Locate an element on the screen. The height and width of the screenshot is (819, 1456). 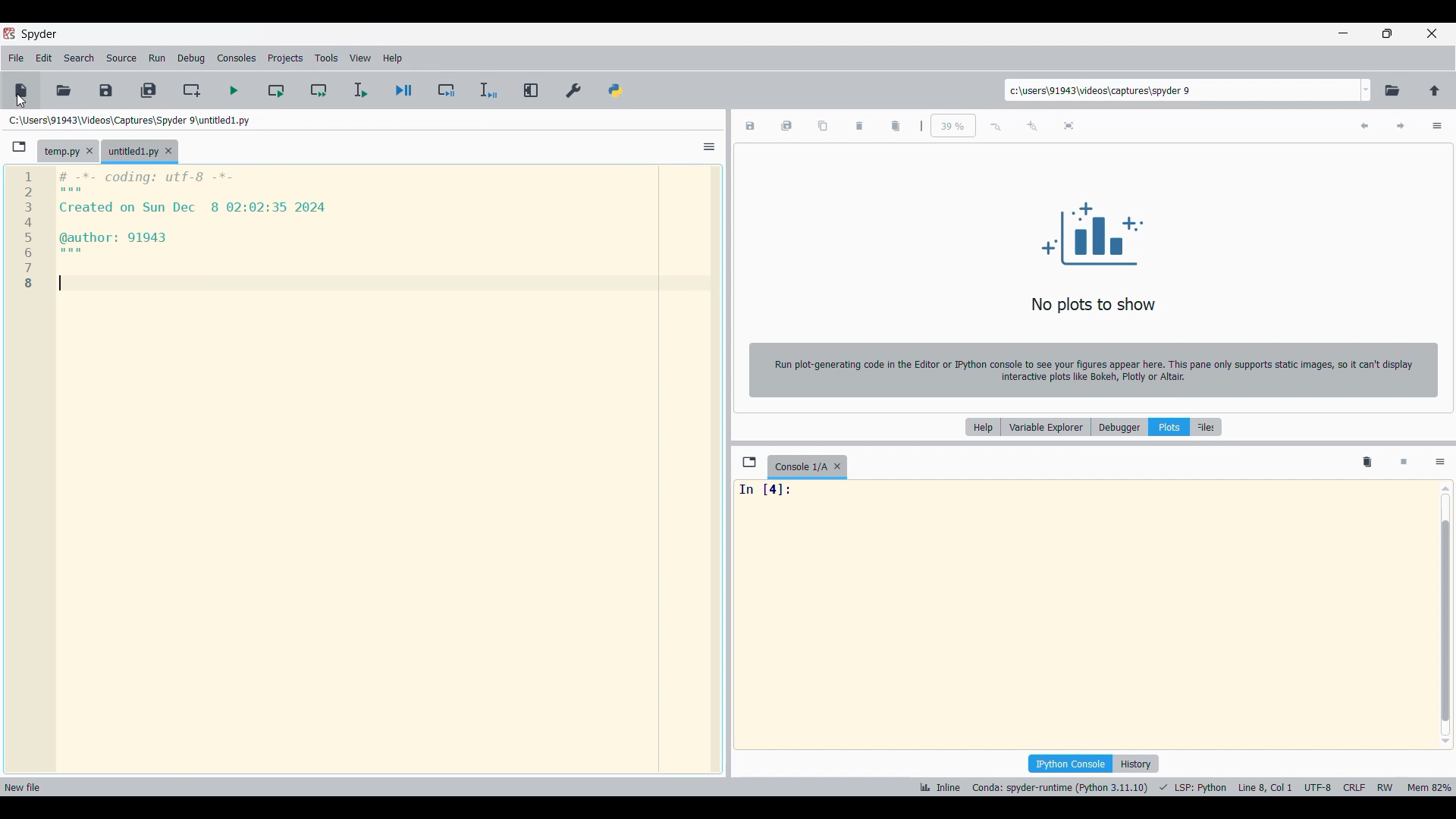
Zoom out is located at coordinates (996, 126).